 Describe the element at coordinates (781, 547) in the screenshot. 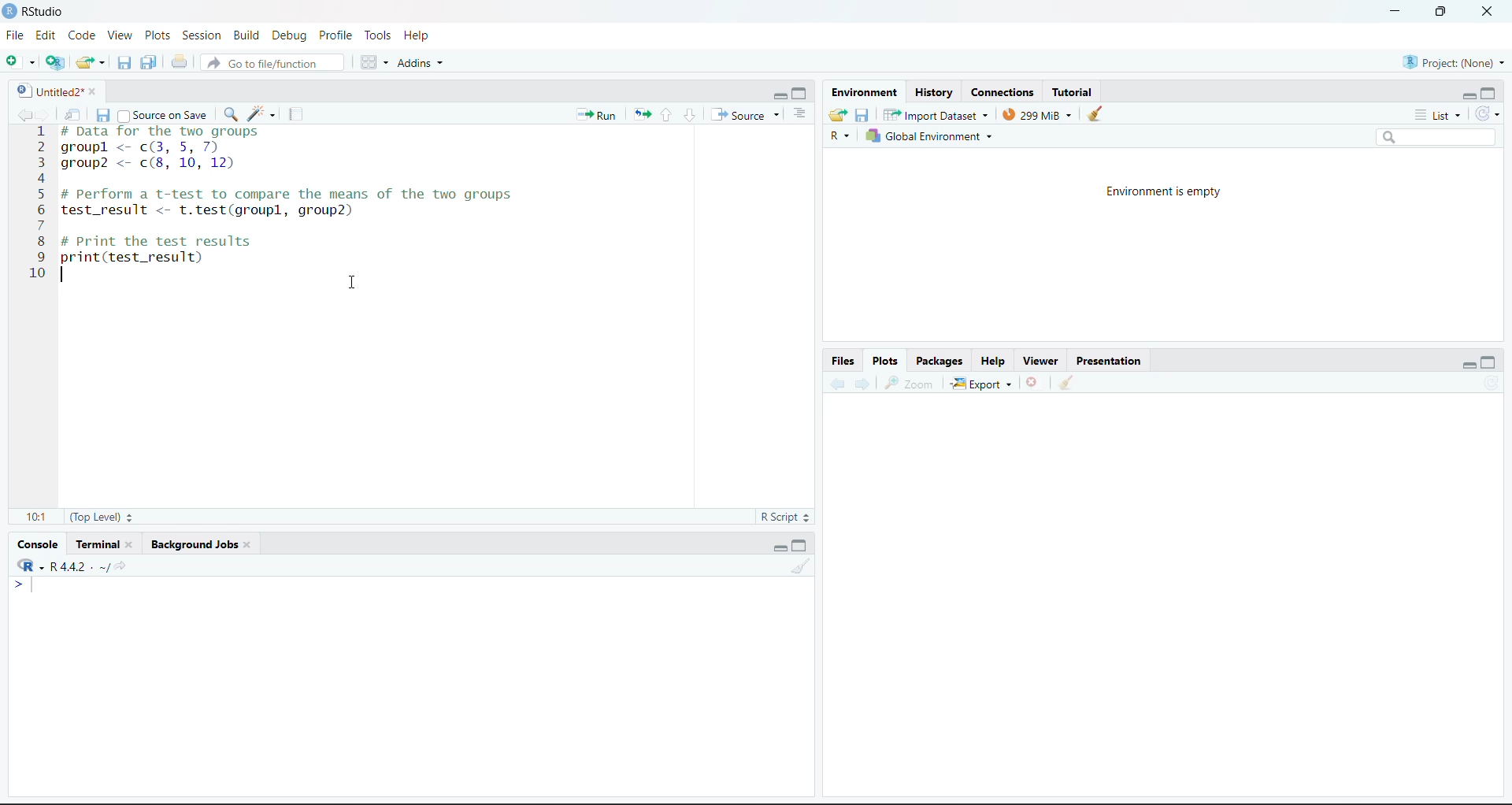

I see `minimize` at that location.